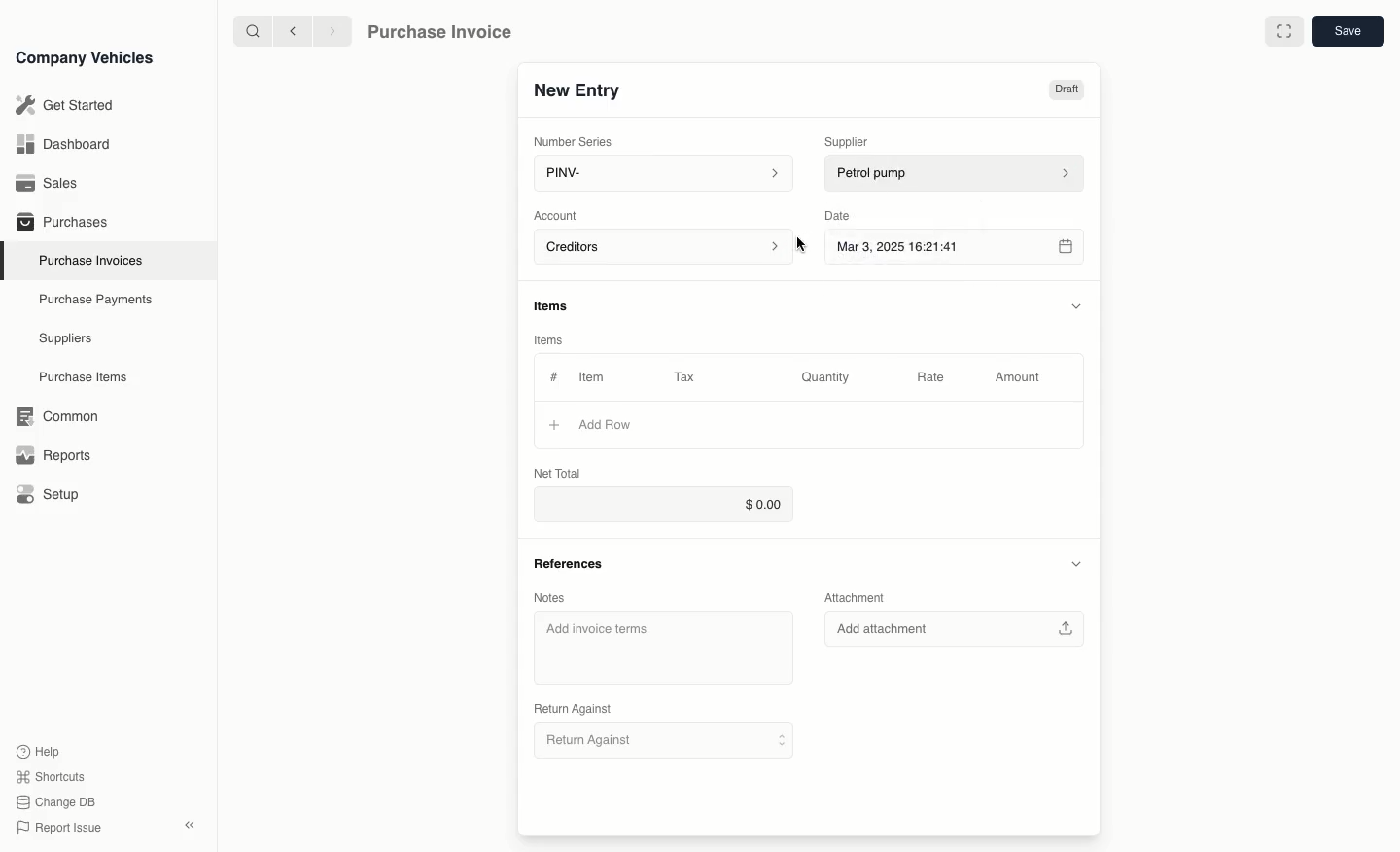 The height and width of the screenshot is (852, 1400). Describe the element at coordinates (85, 57) in the screenshot. I see `Company Vehicles` at that location.